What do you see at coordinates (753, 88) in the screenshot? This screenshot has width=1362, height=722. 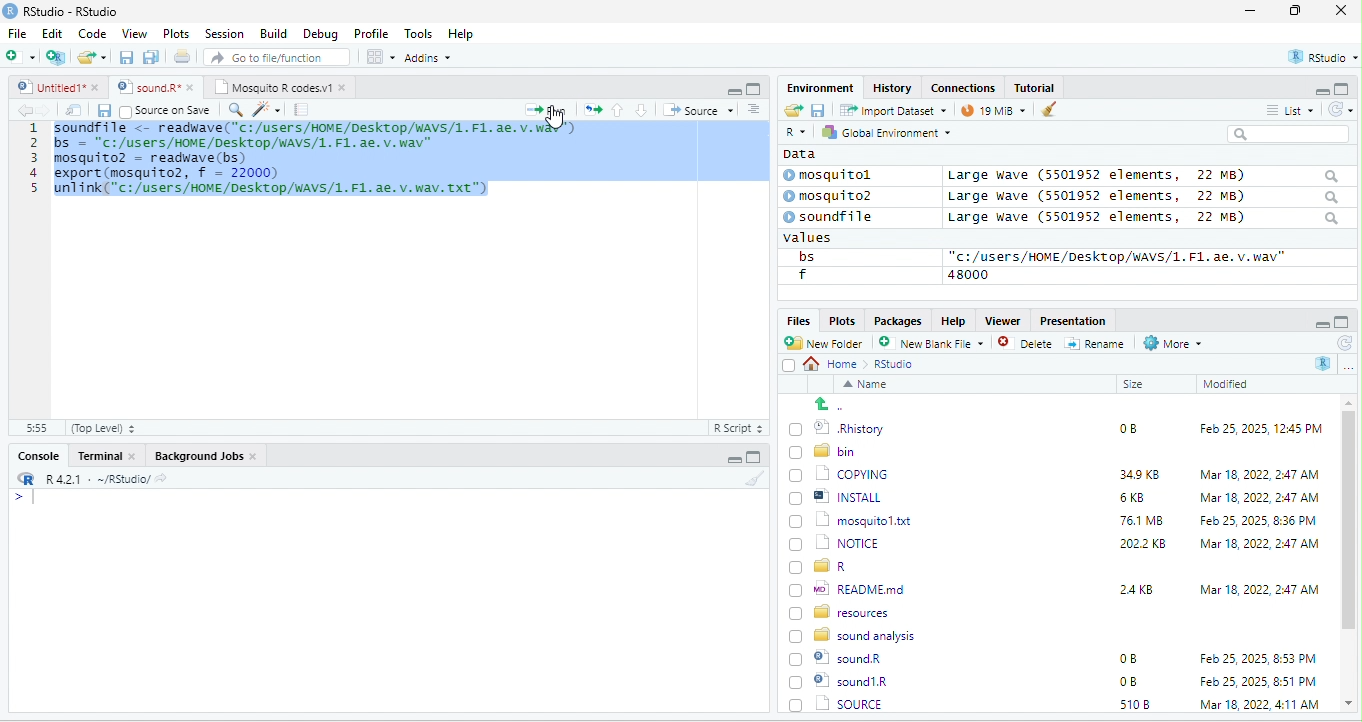 I see `maximize` at bounding box center [753, 88].